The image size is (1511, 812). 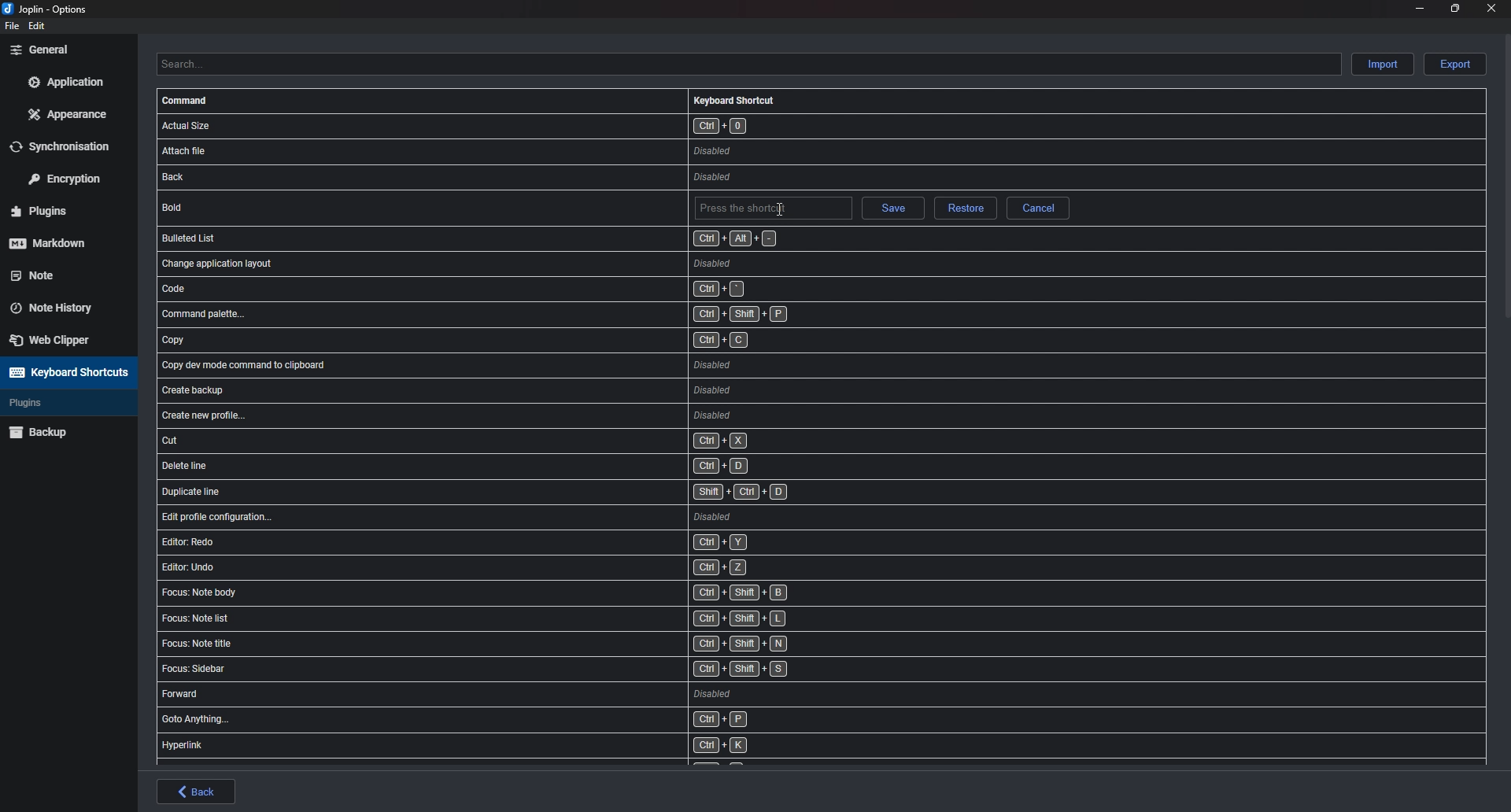 What do you see at coordinates (510, 745) in the screenshot?
I see `shortcut` at bounding box center [510, 745].